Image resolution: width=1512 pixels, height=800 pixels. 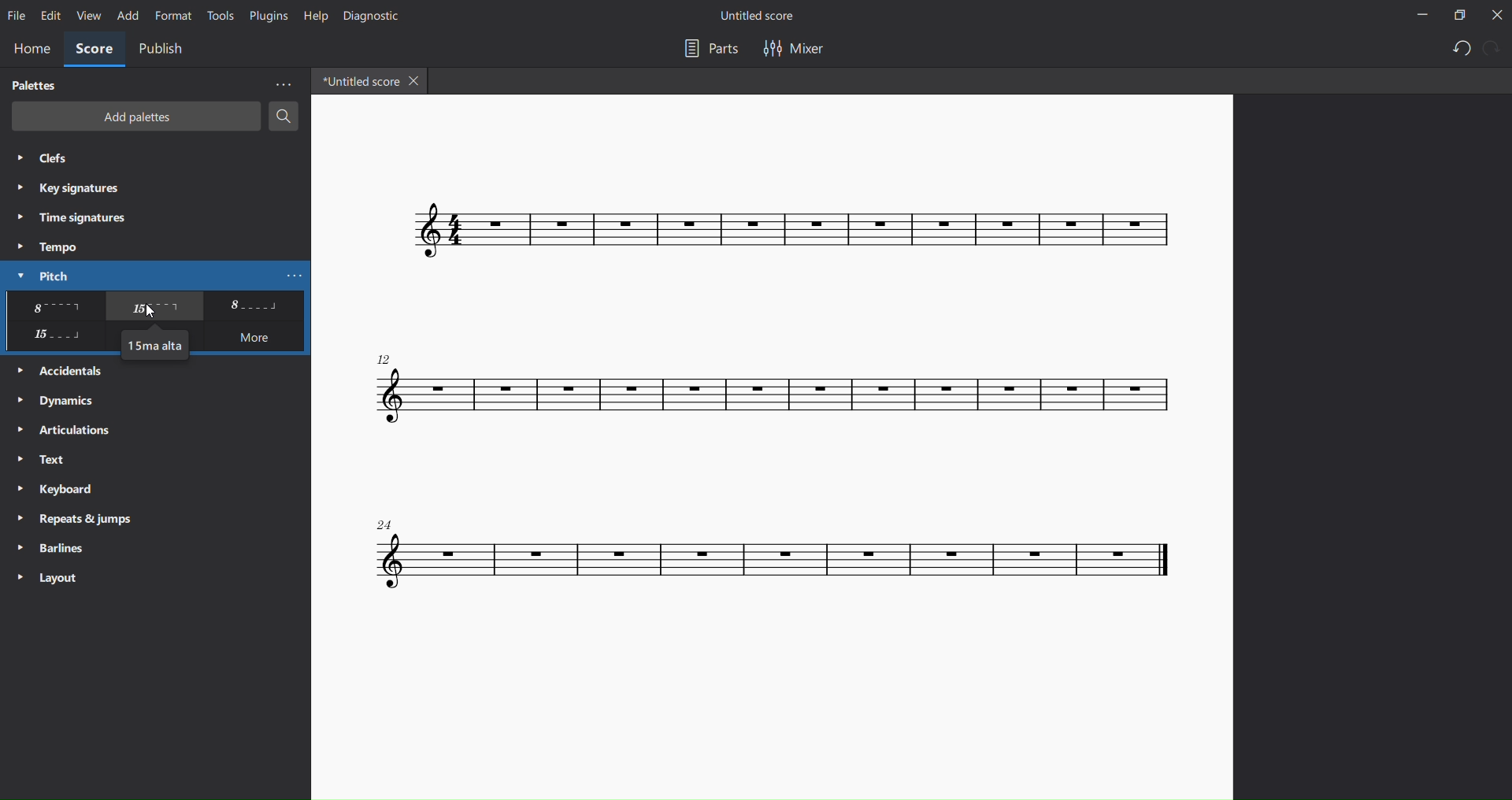 What do you see at coordinates (220, 16) in the screenshot?
I see `tools` at bounding box center [220, 16].